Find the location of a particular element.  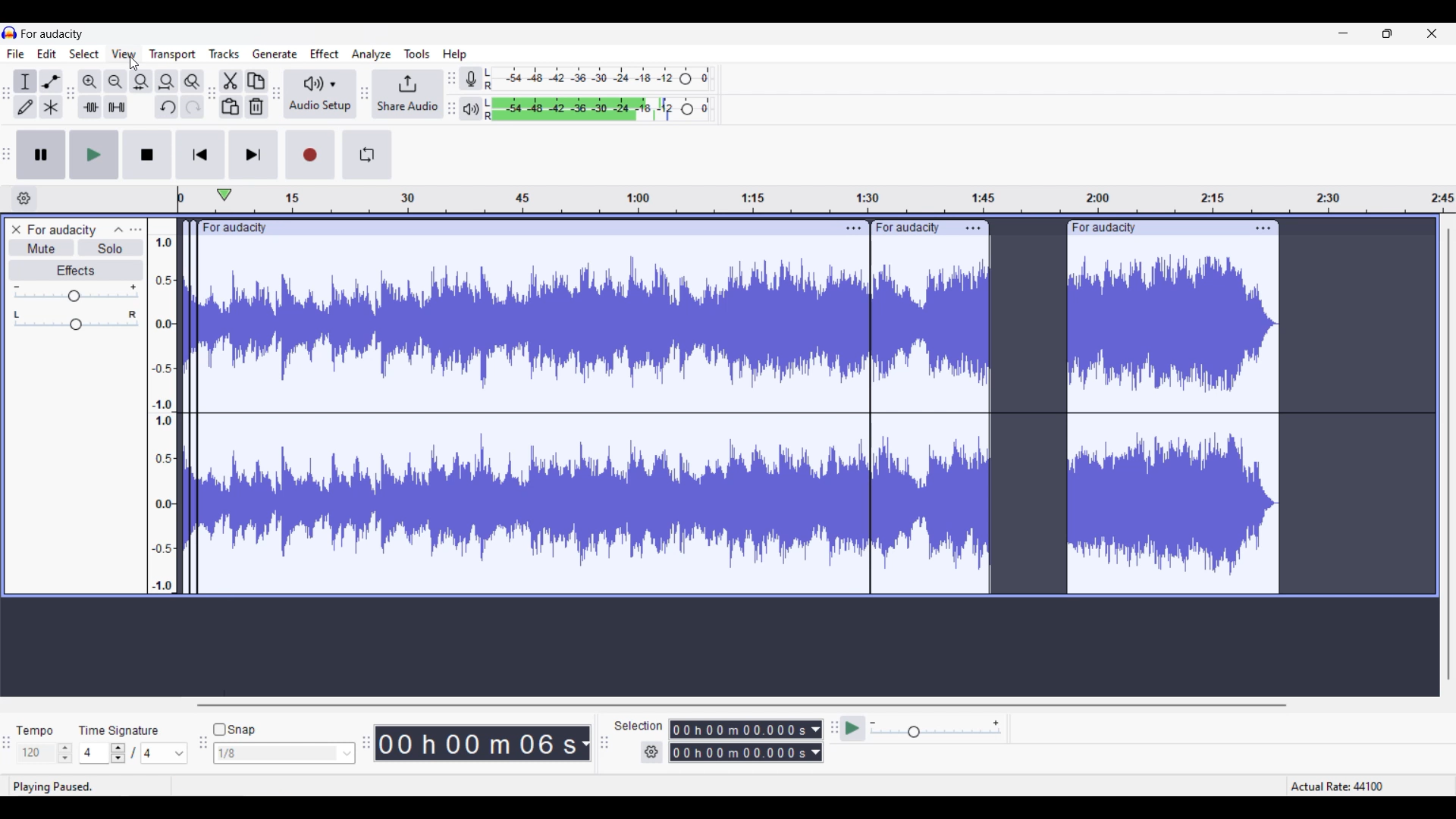

Scale to see track length is located at coordinates (815, 199).